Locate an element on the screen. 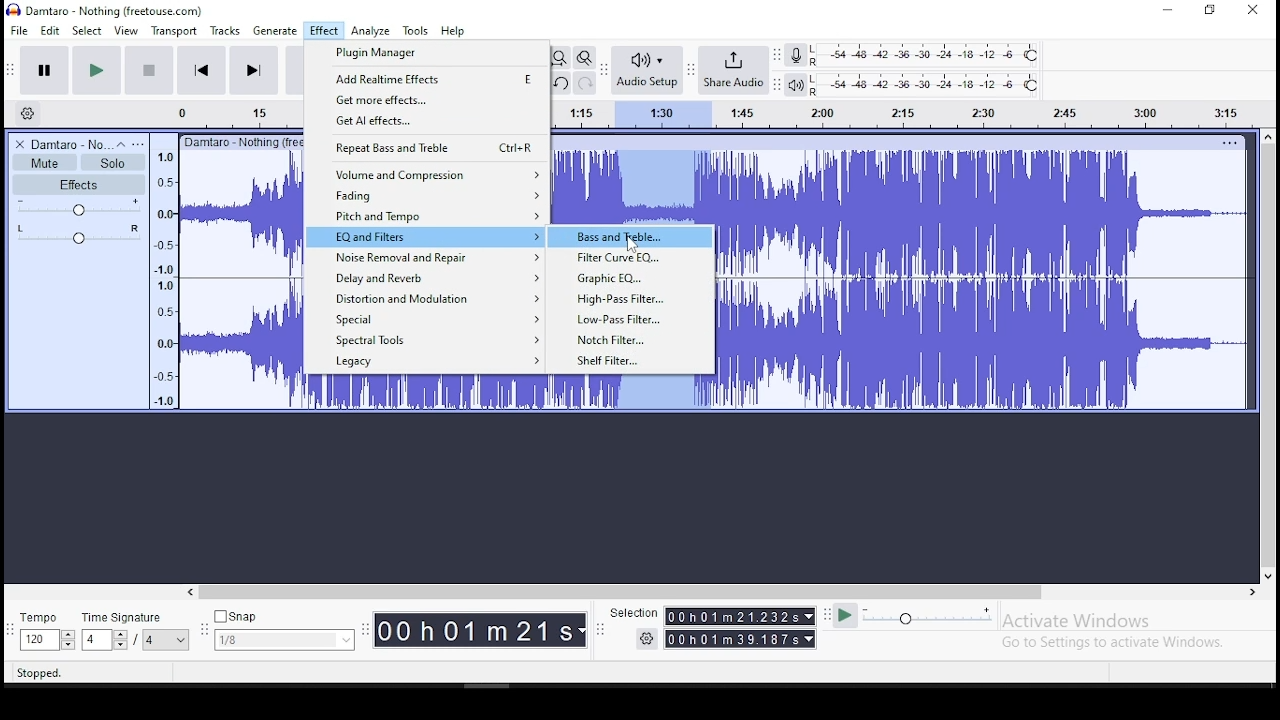 This screenshot has width=1280, height=720. horizontal scroll bar is located at coordinates (720, 592).